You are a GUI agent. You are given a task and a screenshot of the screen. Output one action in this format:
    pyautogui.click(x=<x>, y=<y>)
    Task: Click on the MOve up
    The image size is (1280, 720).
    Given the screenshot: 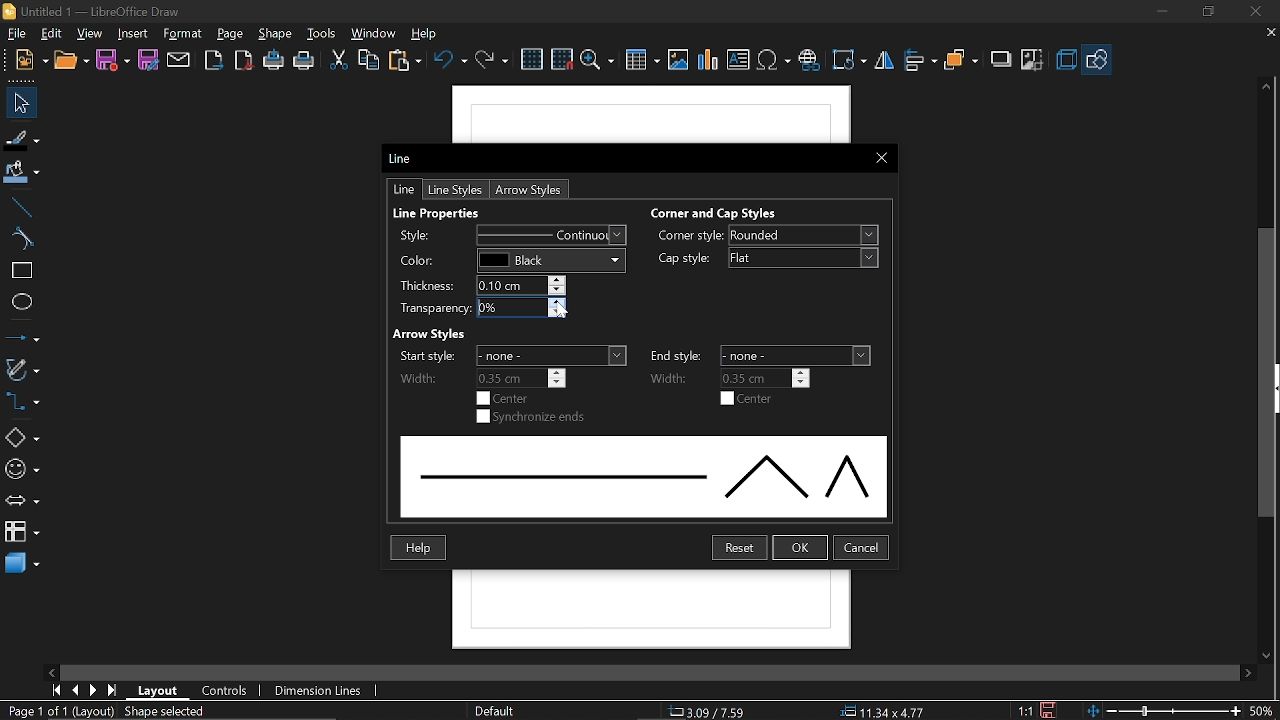 What is the action you would take?
    pyautogui.click(x=1267, y=87)
    